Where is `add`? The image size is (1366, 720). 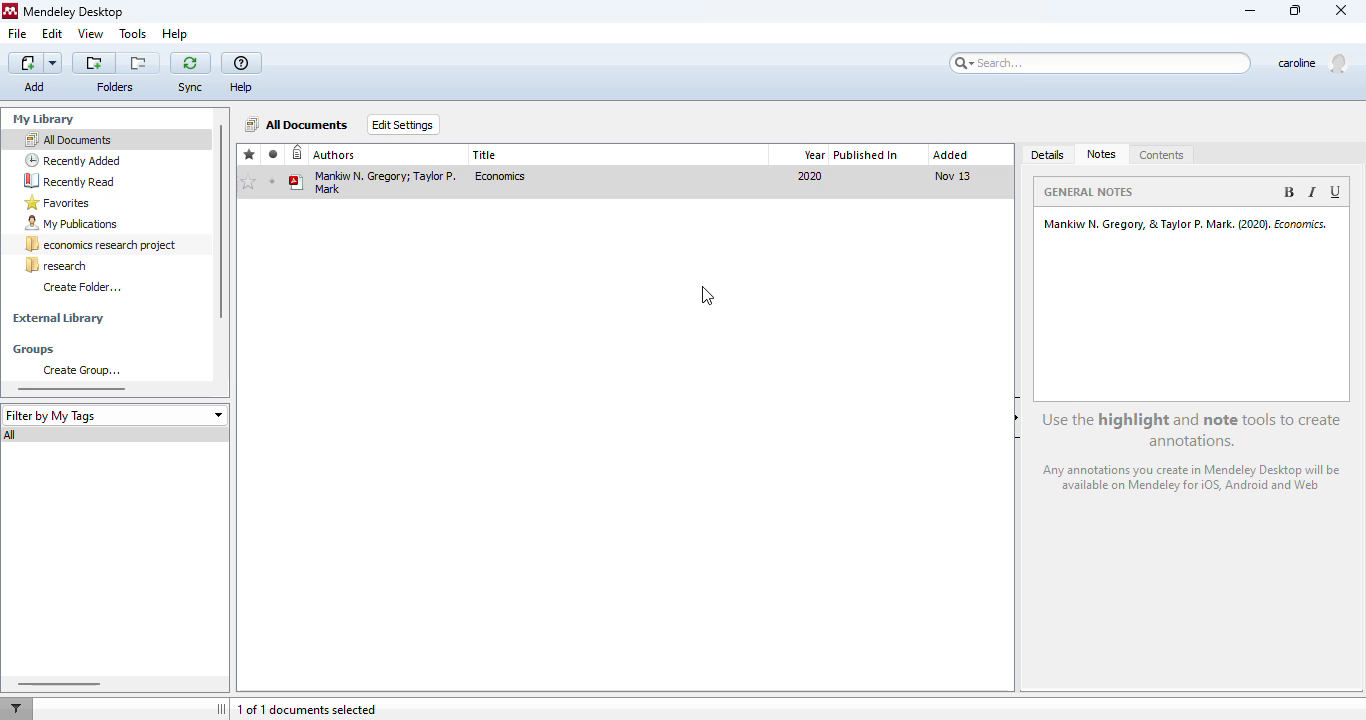 add is located at coordinates (36, 63).